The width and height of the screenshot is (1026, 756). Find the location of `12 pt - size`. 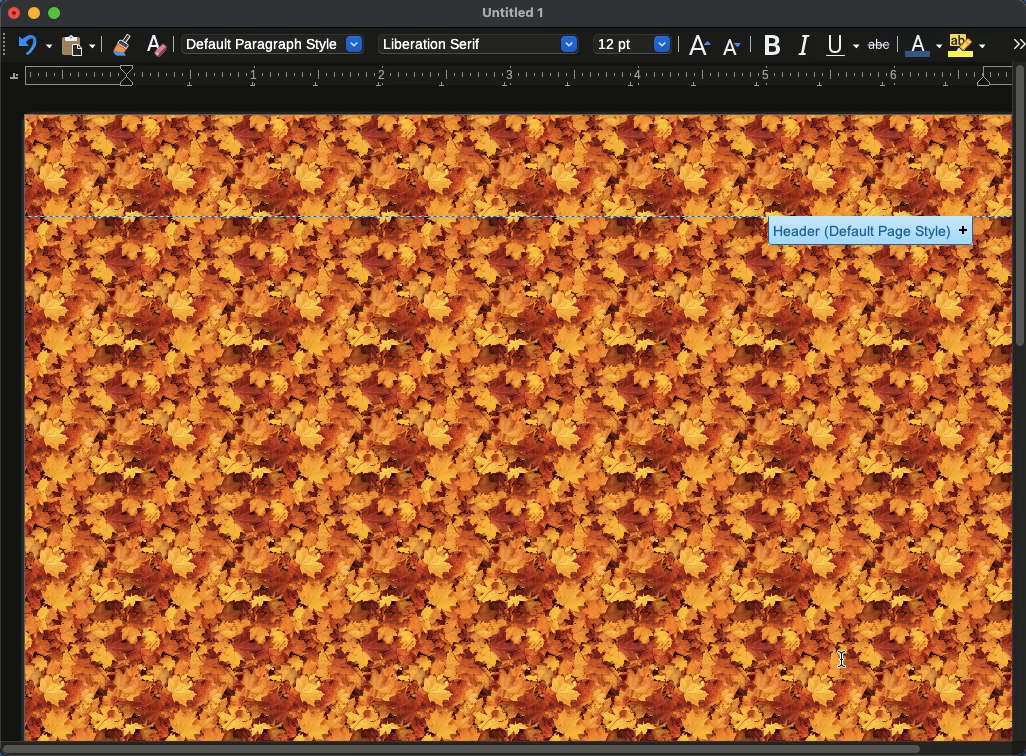

12 pt - size is located at coordinates (633, 43).